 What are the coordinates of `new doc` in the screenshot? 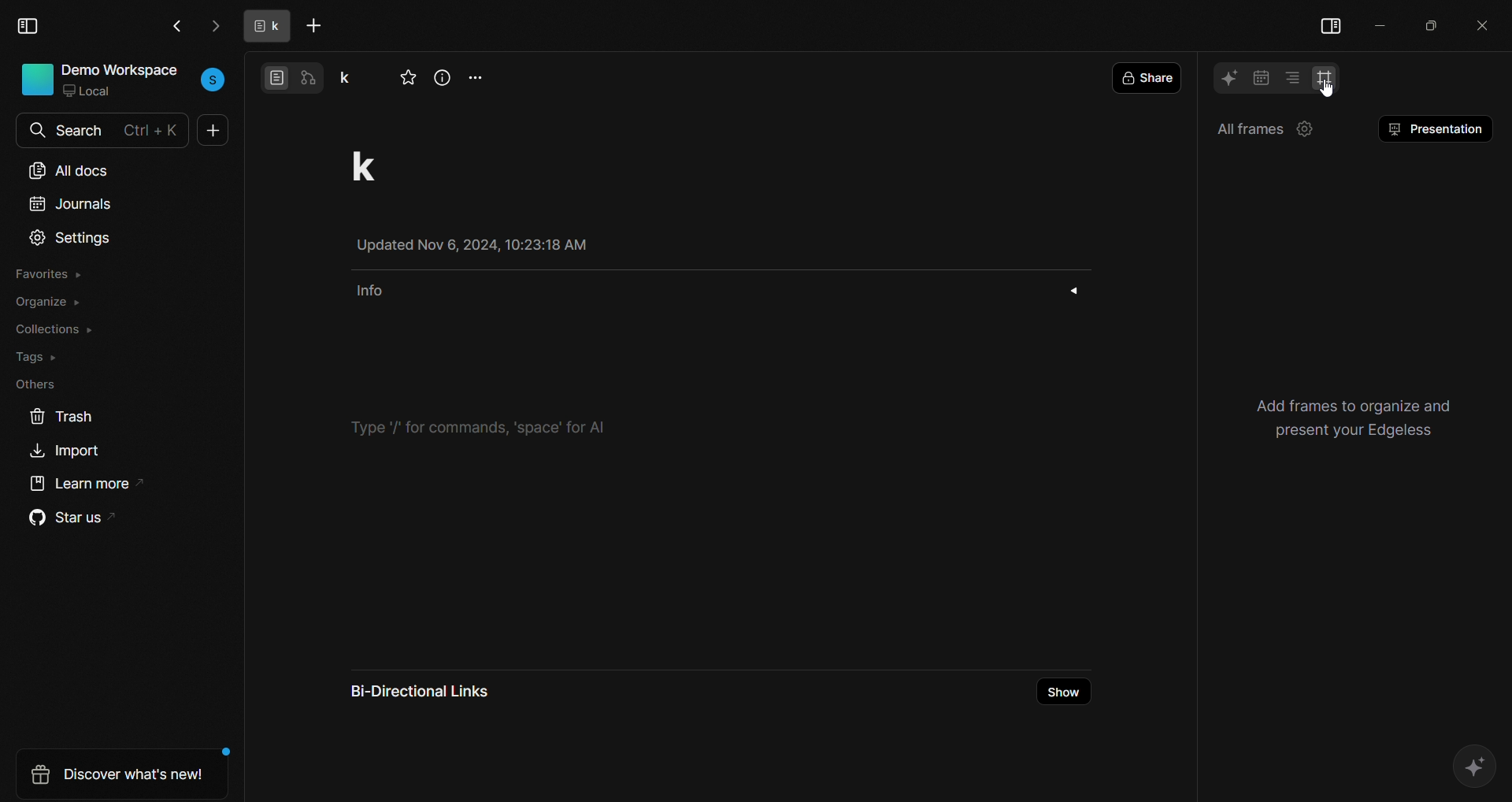 It's located at (214, 133).